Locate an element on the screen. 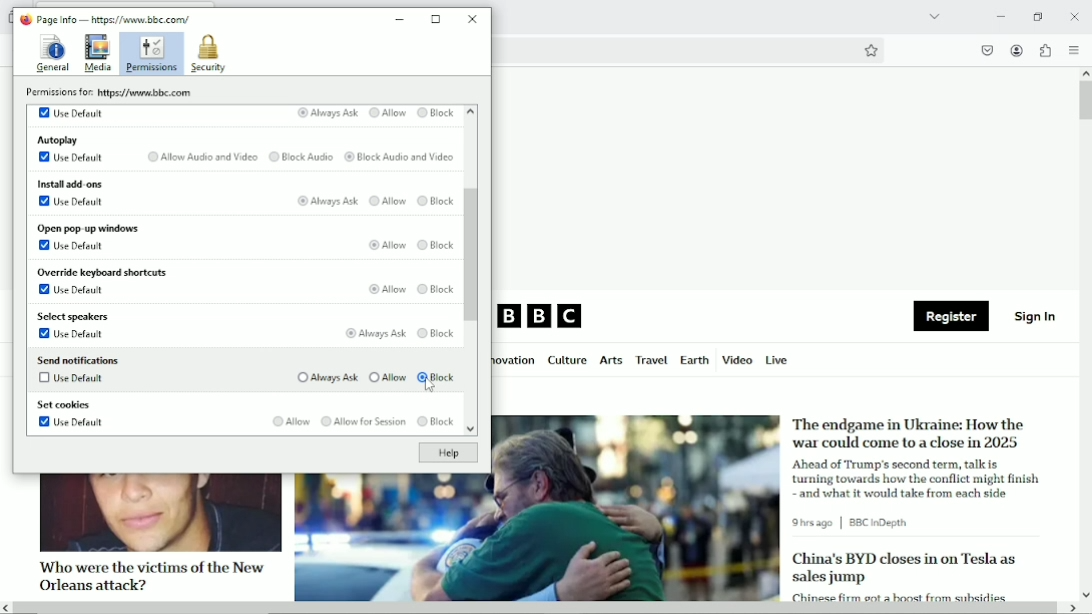  Block is located at coordinates (436, 113).